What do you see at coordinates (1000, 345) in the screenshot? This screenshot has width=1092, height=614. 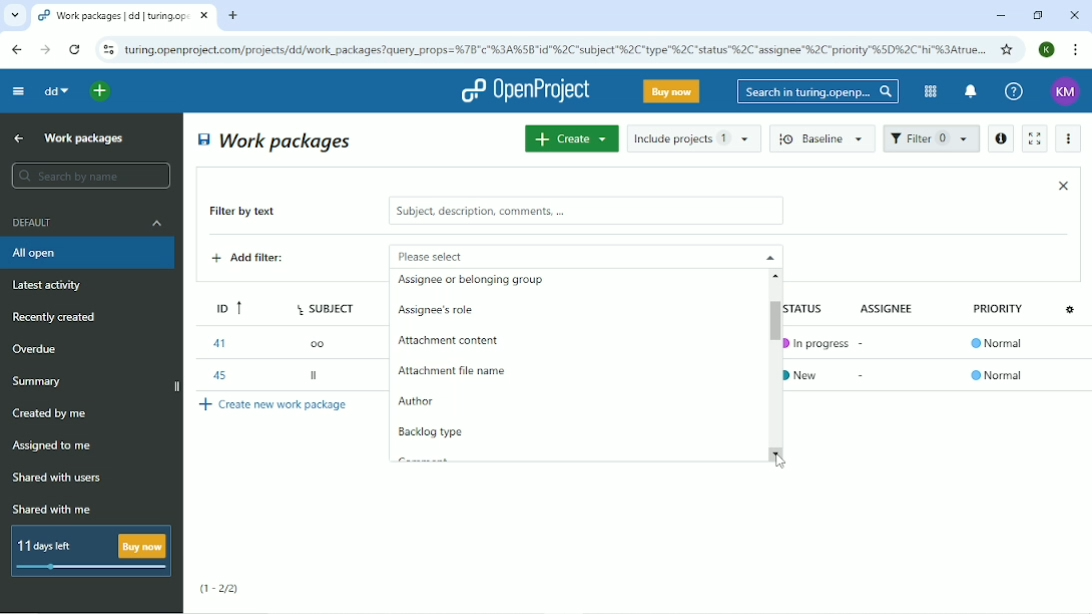 I see `Normal` at bounding box center [1000, 345].